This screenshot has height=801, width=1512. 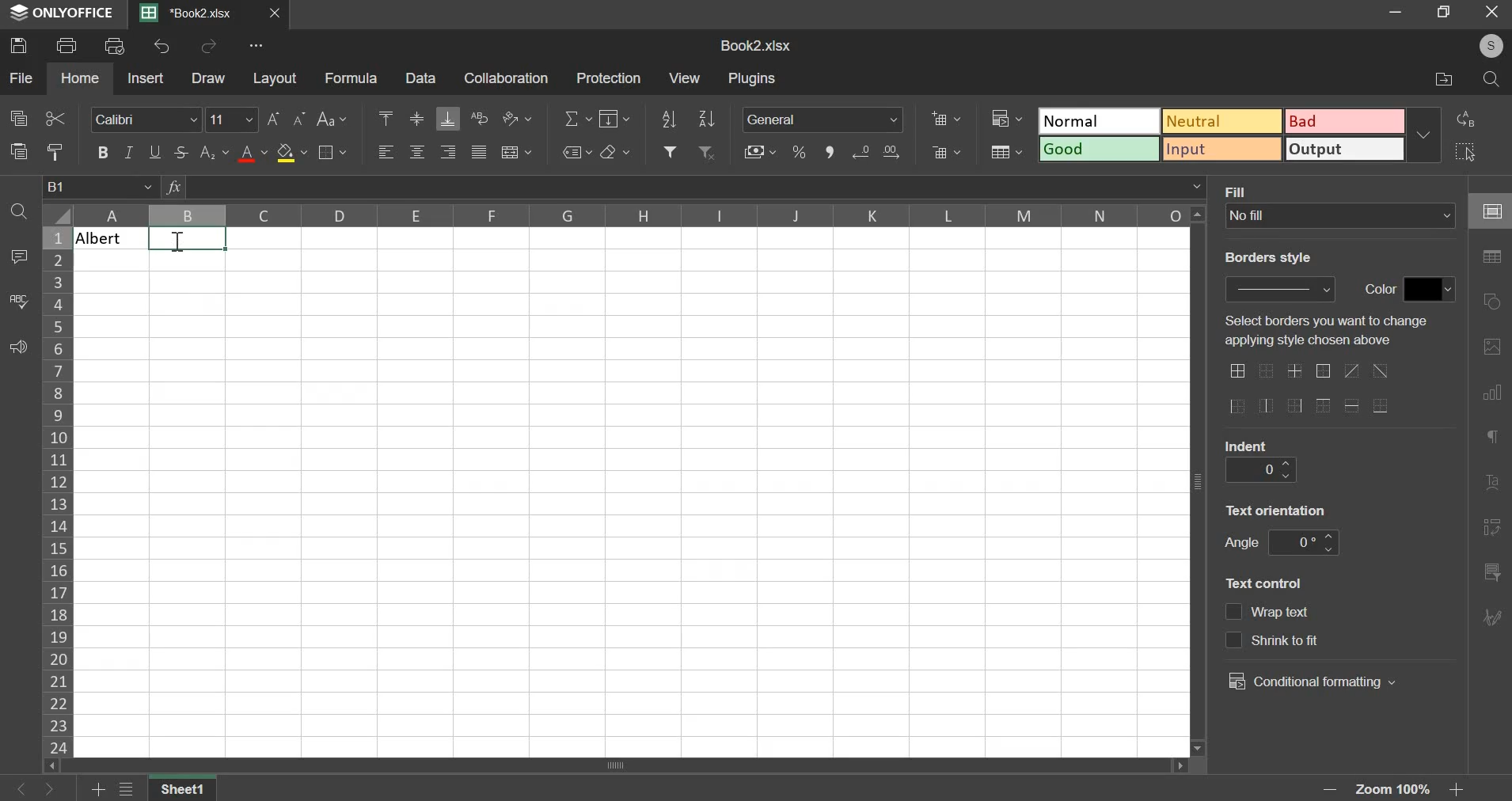 What do you see at coordinates (1239, 542) in the screenshot?
I see `angle` at bounding box center [1239, 542].